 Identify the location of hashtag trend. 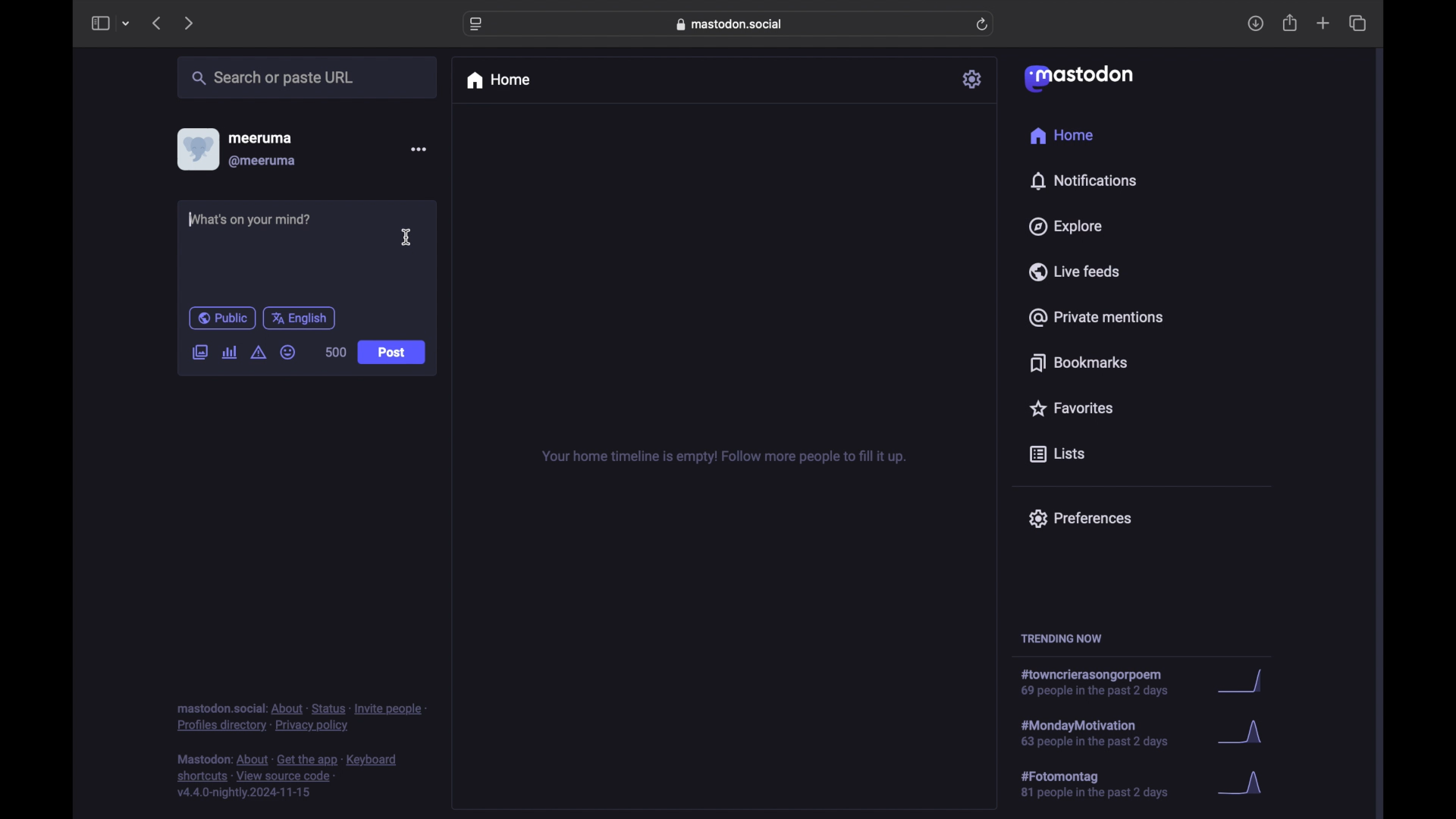
(1105, 732).